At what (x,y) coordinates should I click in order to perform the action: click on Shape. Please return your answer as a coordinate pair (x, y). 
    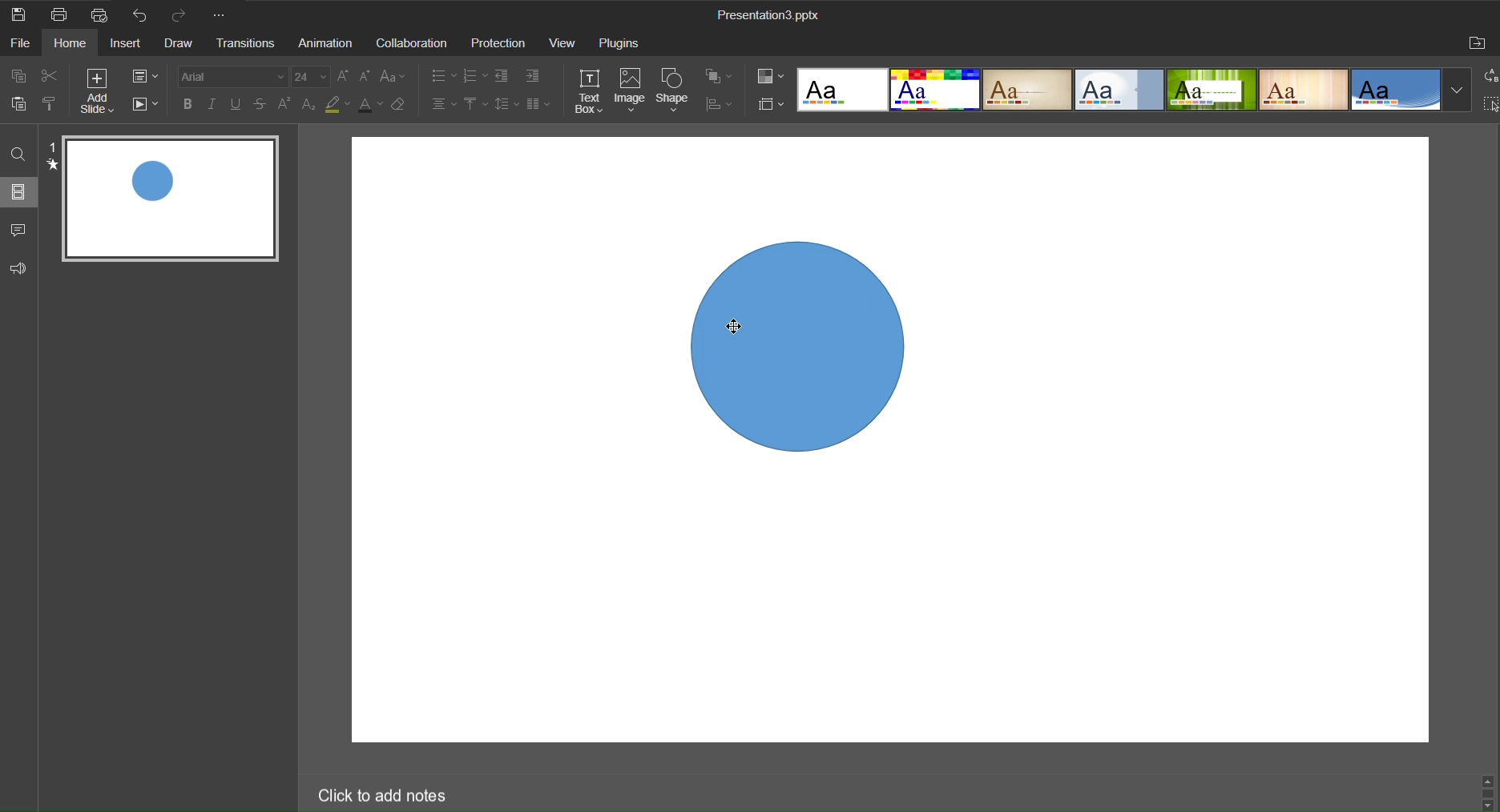
    Looking at the image, I should click on (675, 91).